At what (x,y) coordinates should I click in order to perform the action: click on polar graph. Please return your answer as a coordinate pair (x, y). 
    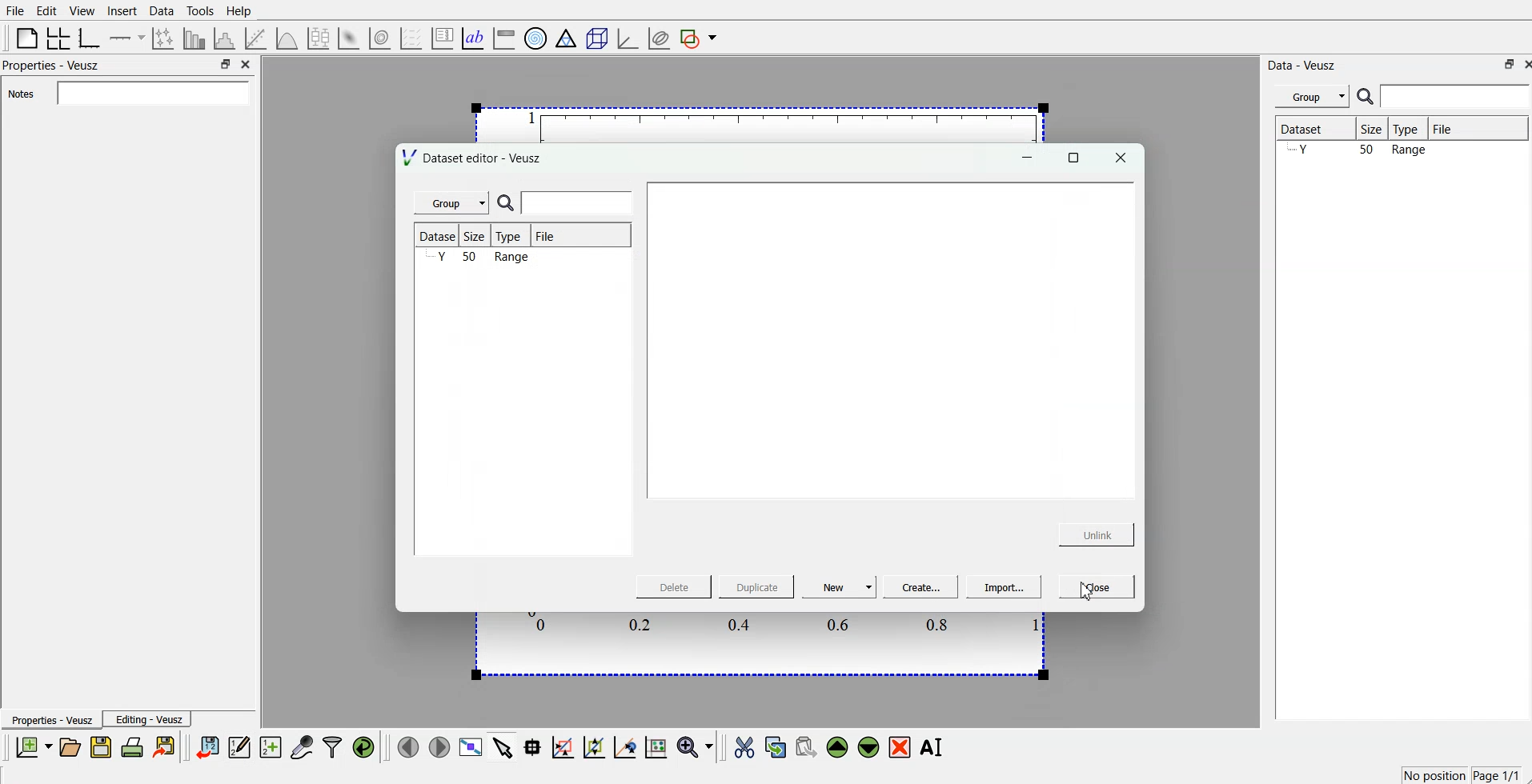
    Looking at the image, I should click on (536, 37).